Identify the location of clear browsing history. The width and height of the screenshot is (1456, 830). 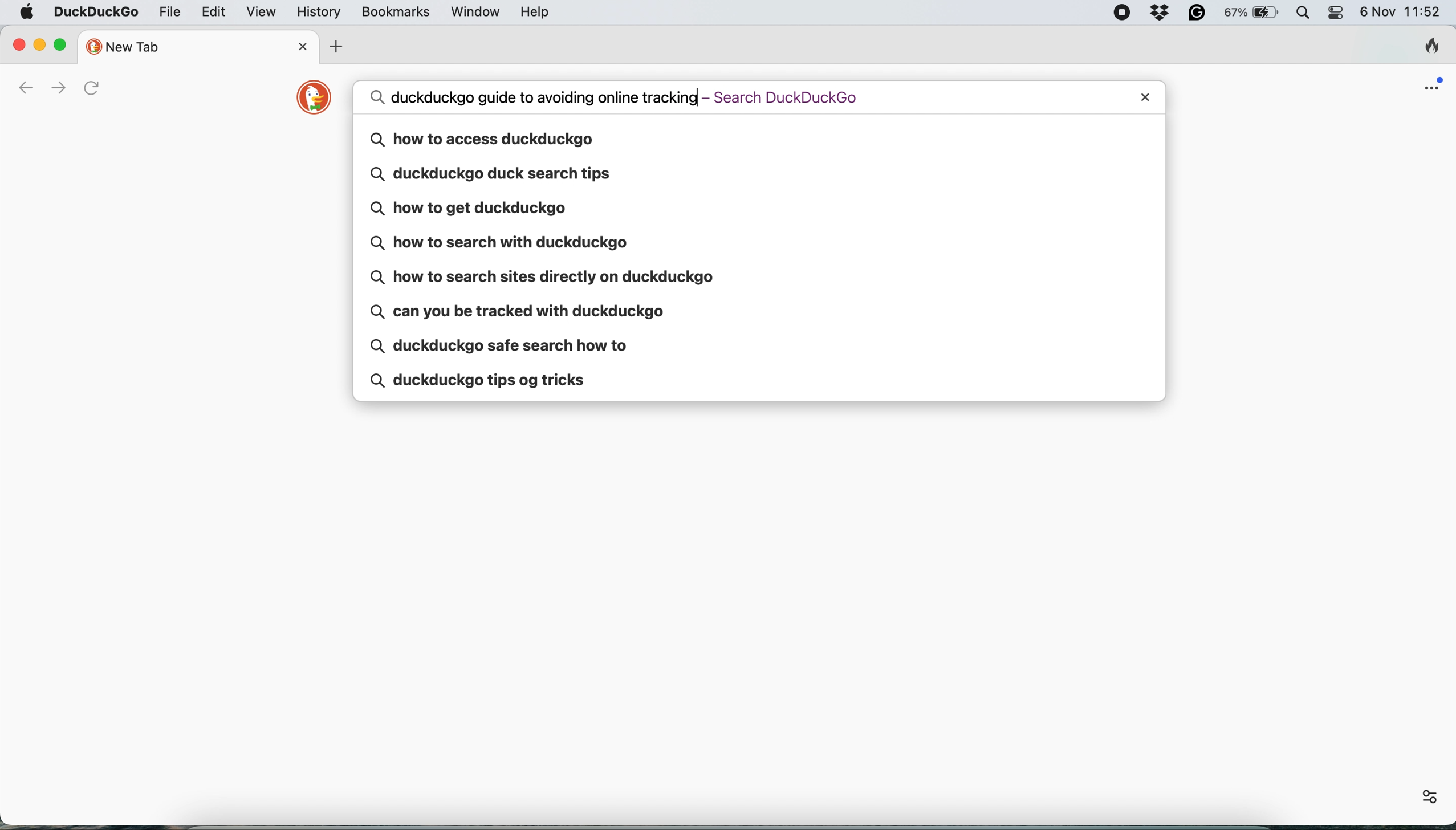
(1425, 46).